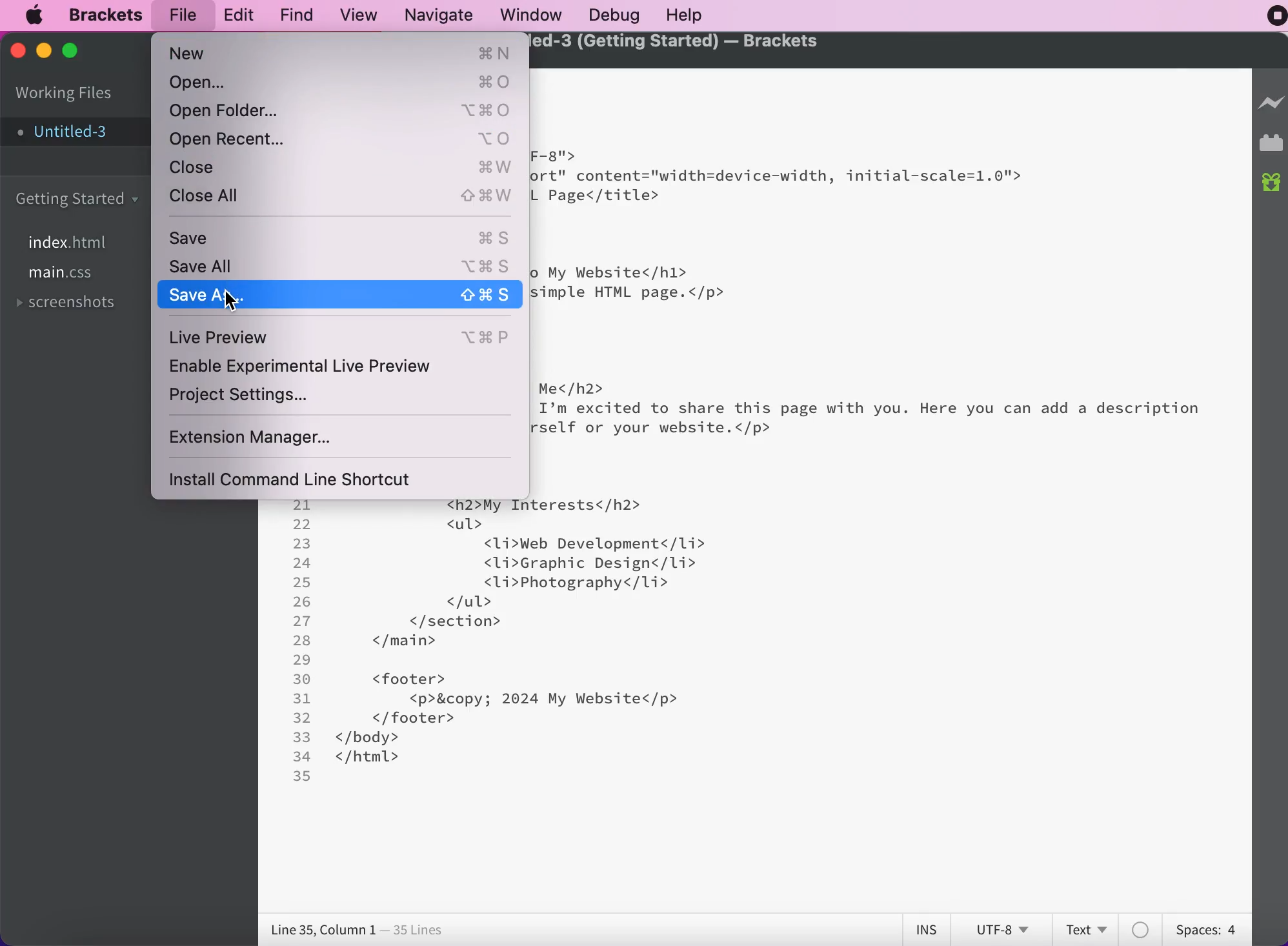  I want to click on view, so click(361, 14).